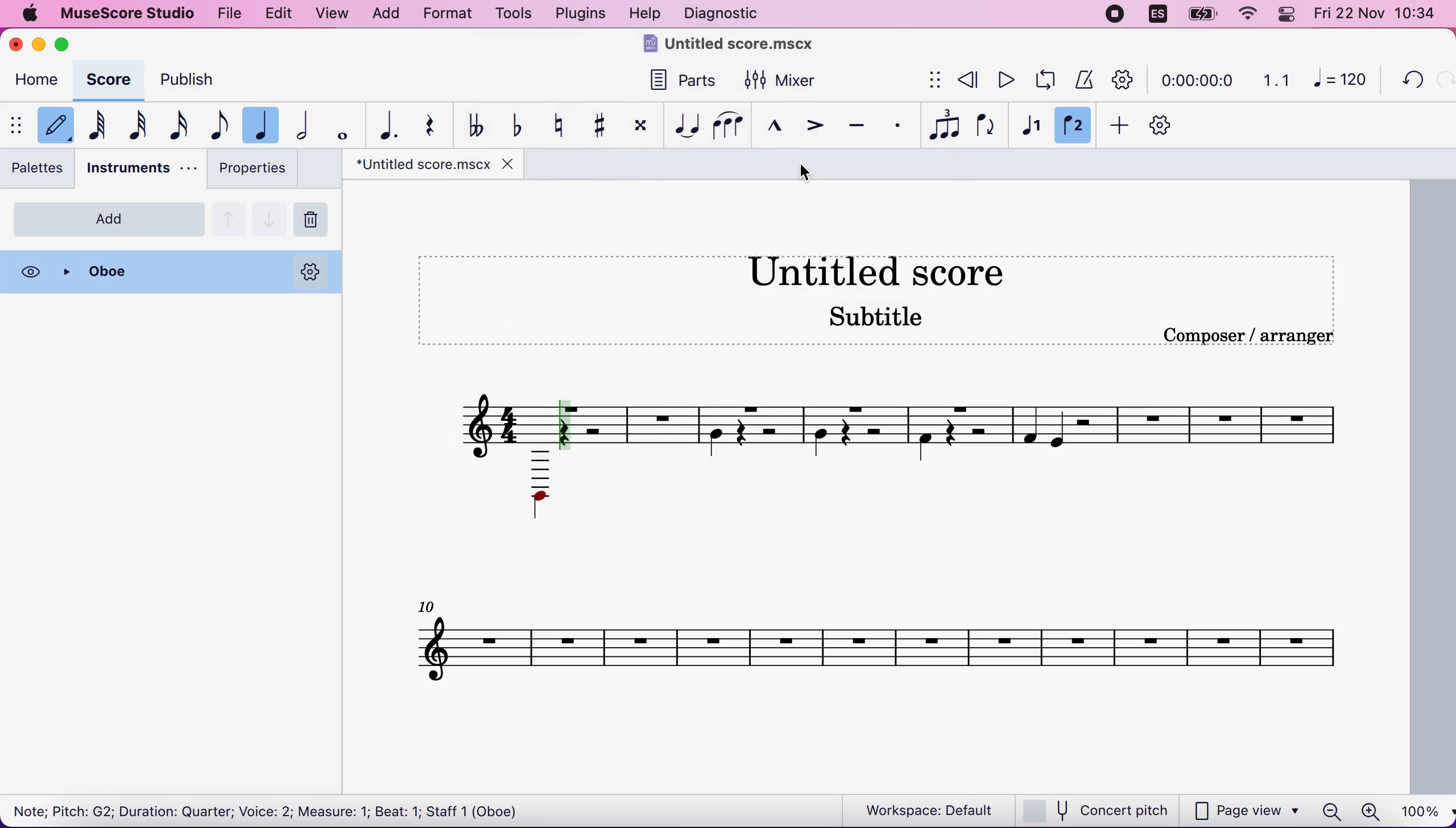  What do you see at coordinates (135, 13) in the screenshot?
I see `musescore studio` at bounding box center [135, 13].